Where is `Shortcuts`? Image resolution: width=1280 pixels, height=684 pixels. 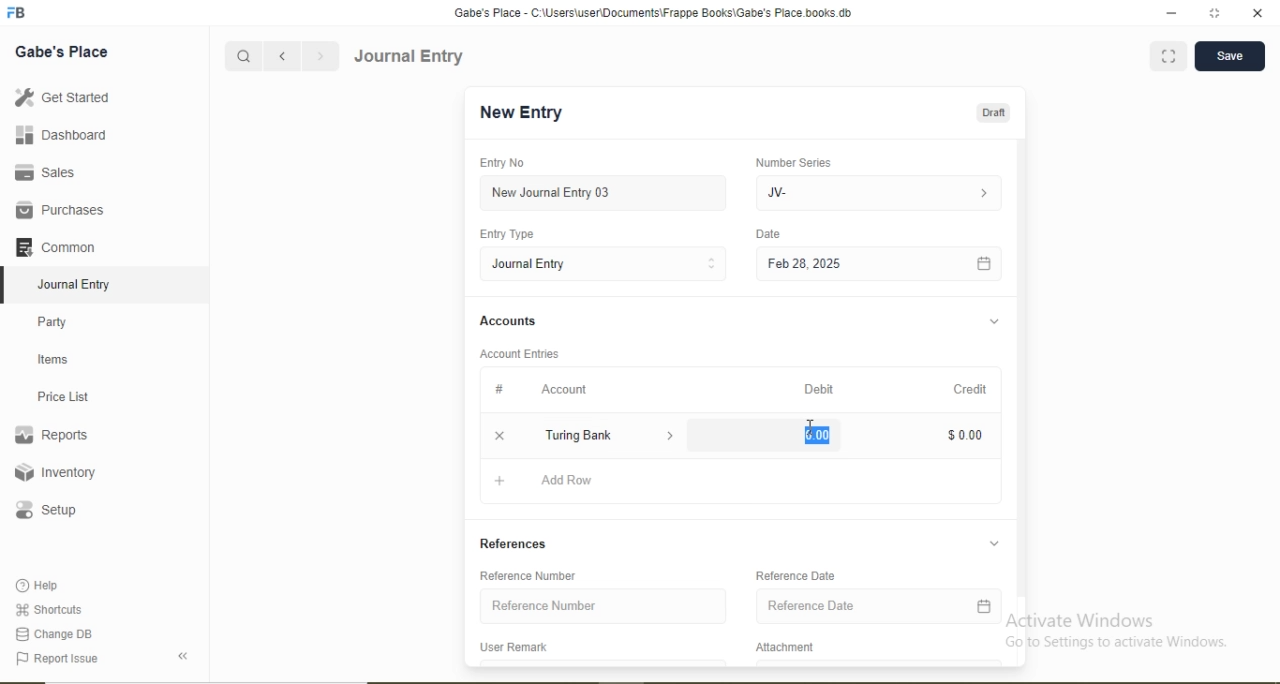 Shortcuts is located at coordinates (47, 609).